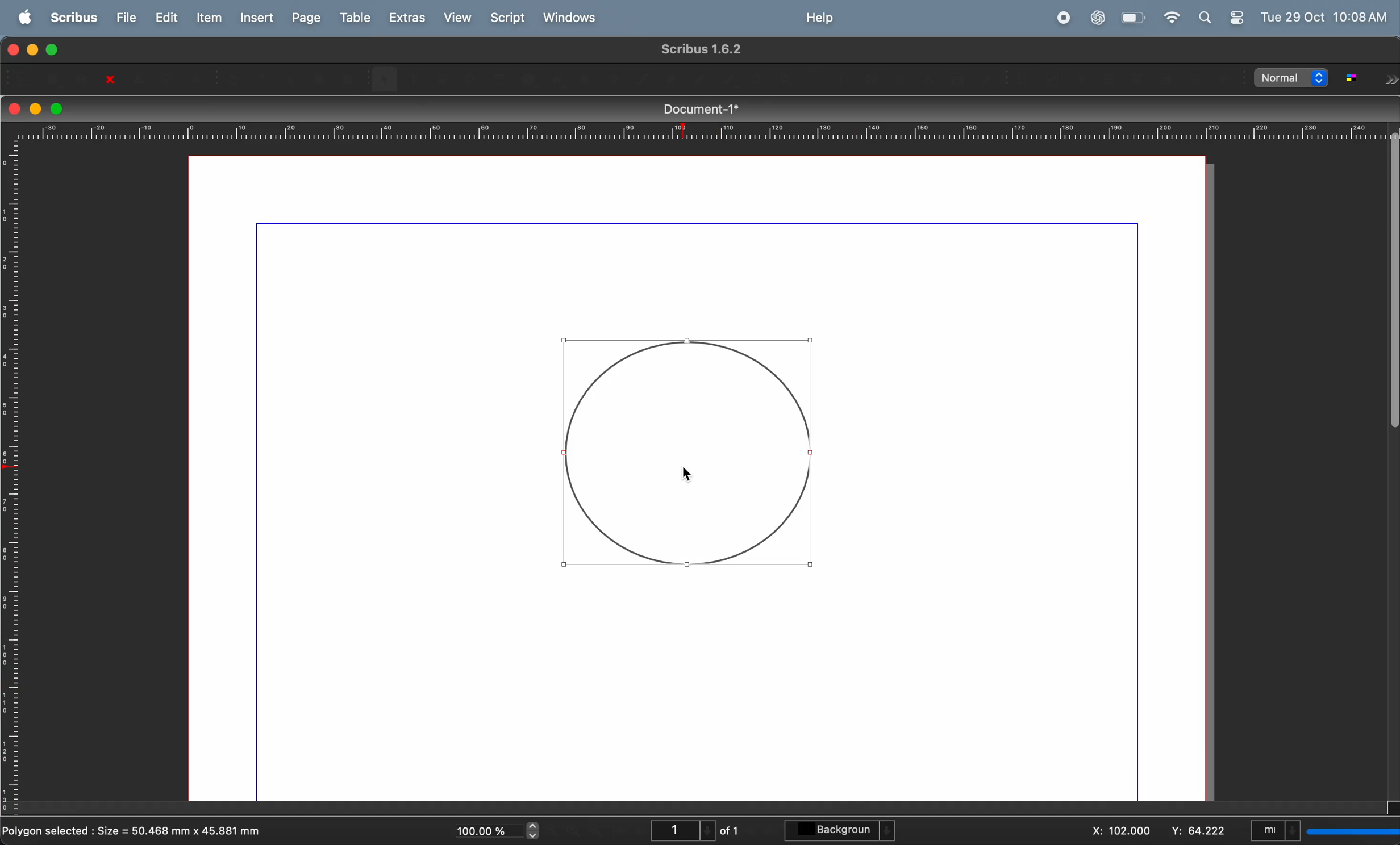 Image resolution: width=1400 pixels, height=845 pixels. I want to click on battery, so click(1132, 17).